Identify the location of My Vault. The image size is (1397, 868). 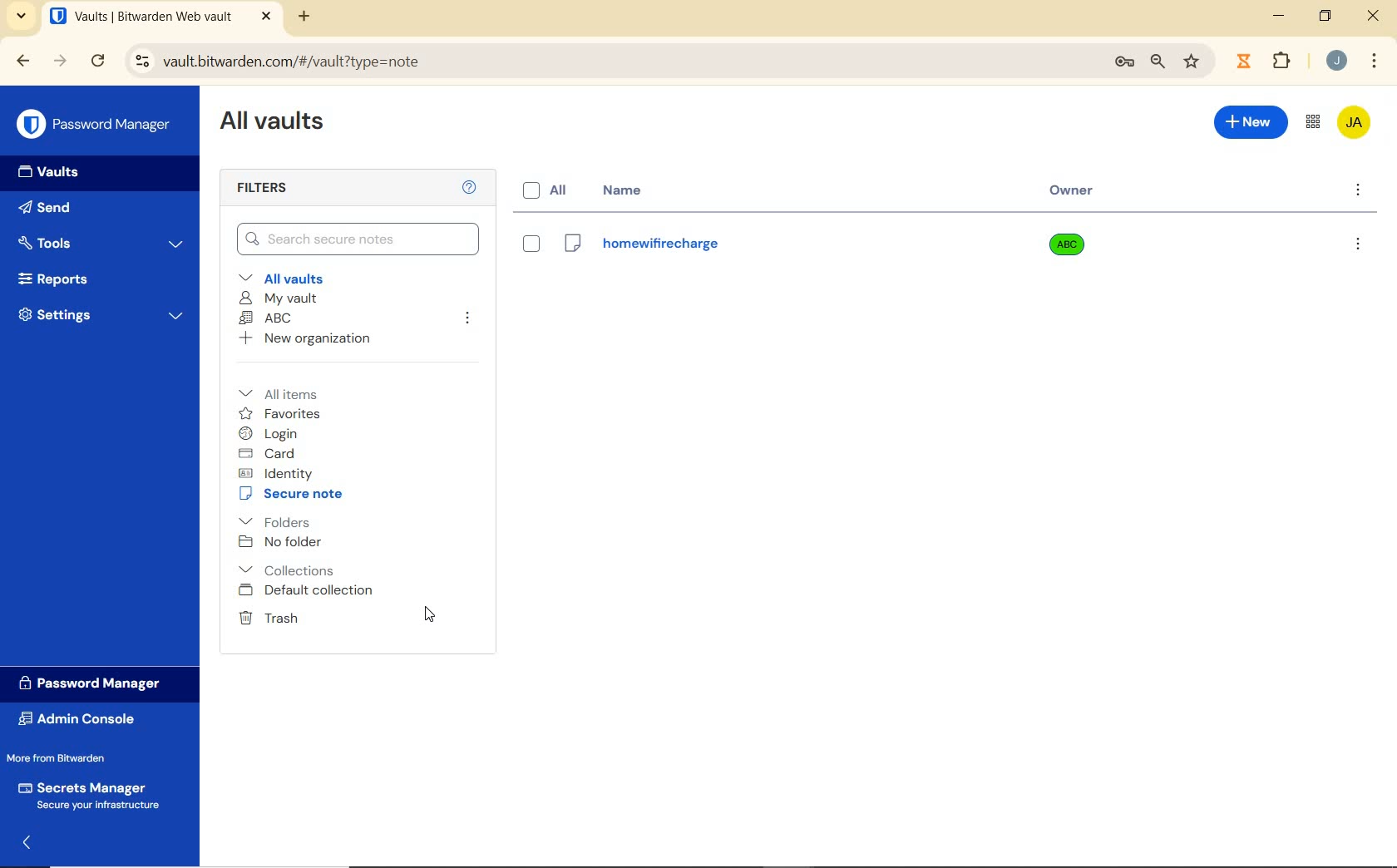
(278, 299).